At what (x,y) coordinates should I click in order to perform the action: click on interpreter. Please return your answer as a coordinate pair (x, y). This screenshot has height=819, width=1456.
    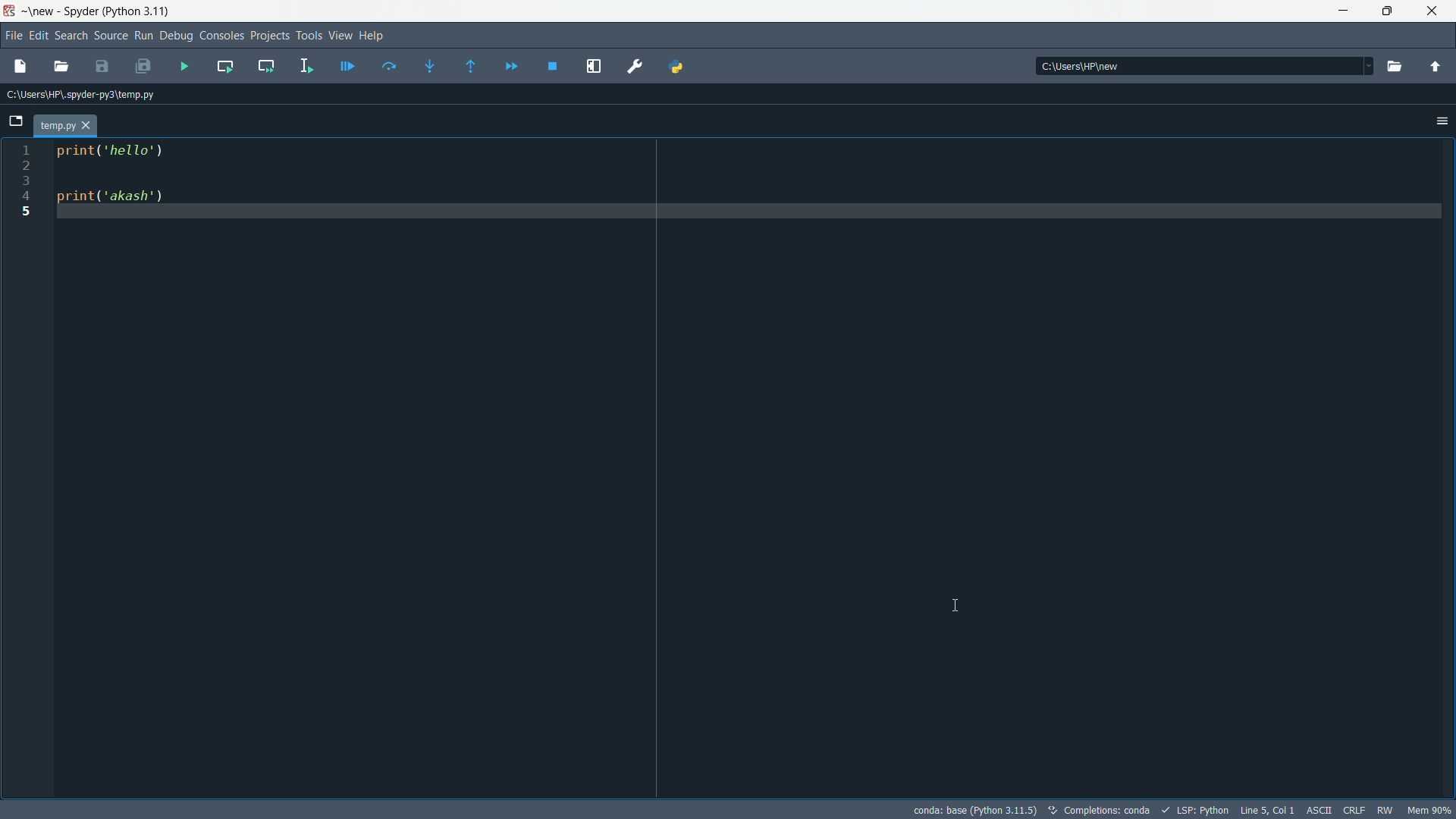
    Looking at the image, I should click on (975, 811).